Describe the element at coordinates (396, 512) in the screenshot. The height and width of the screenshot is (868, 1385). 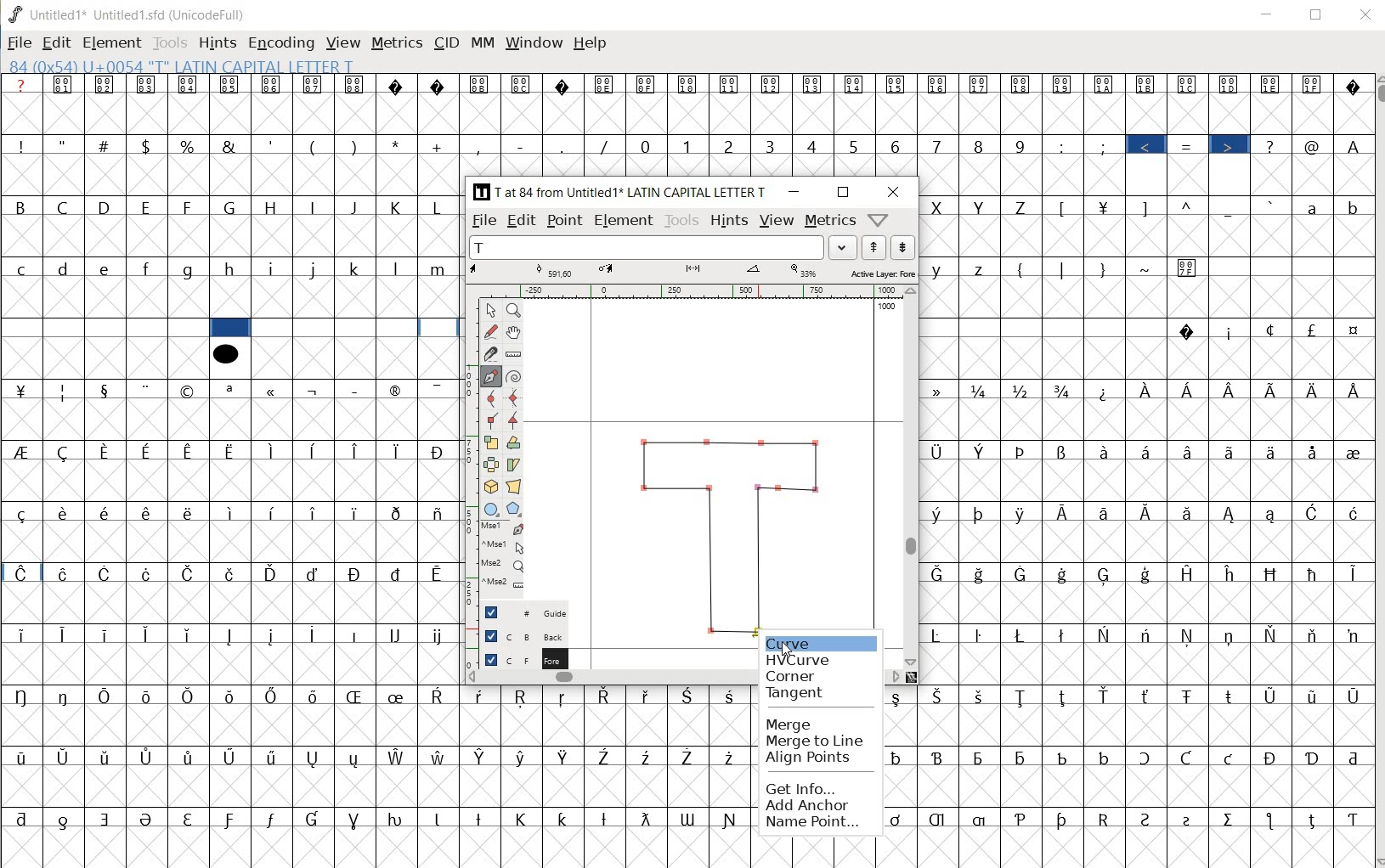
I see `Symbol` at that location.